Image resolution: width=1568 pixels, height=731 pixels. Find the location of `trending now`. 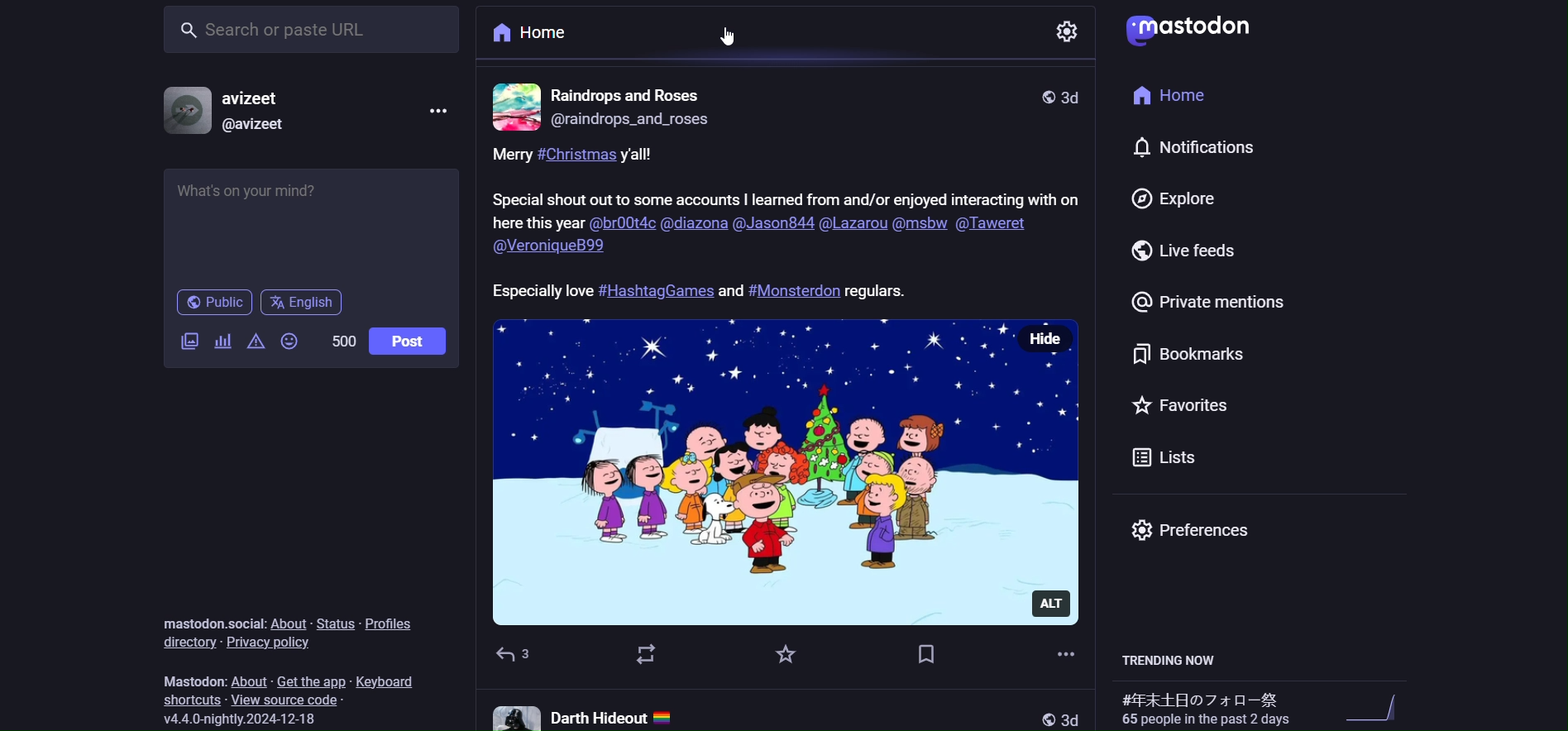

trending now is located at coordinates (1169, 661).